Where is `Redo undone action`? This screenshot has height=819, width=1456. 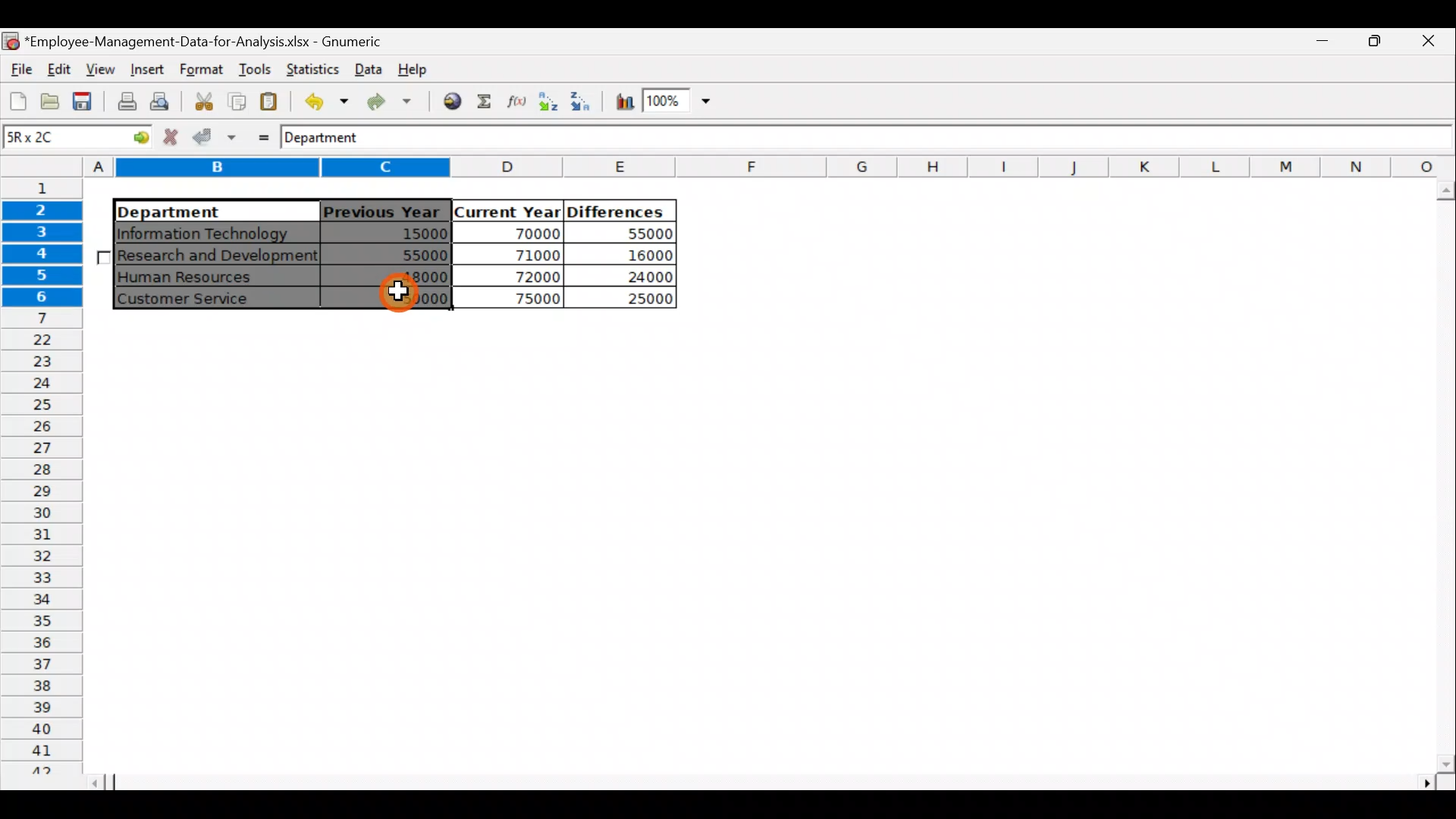 Redo undone action is located at coordinates (394, 102).